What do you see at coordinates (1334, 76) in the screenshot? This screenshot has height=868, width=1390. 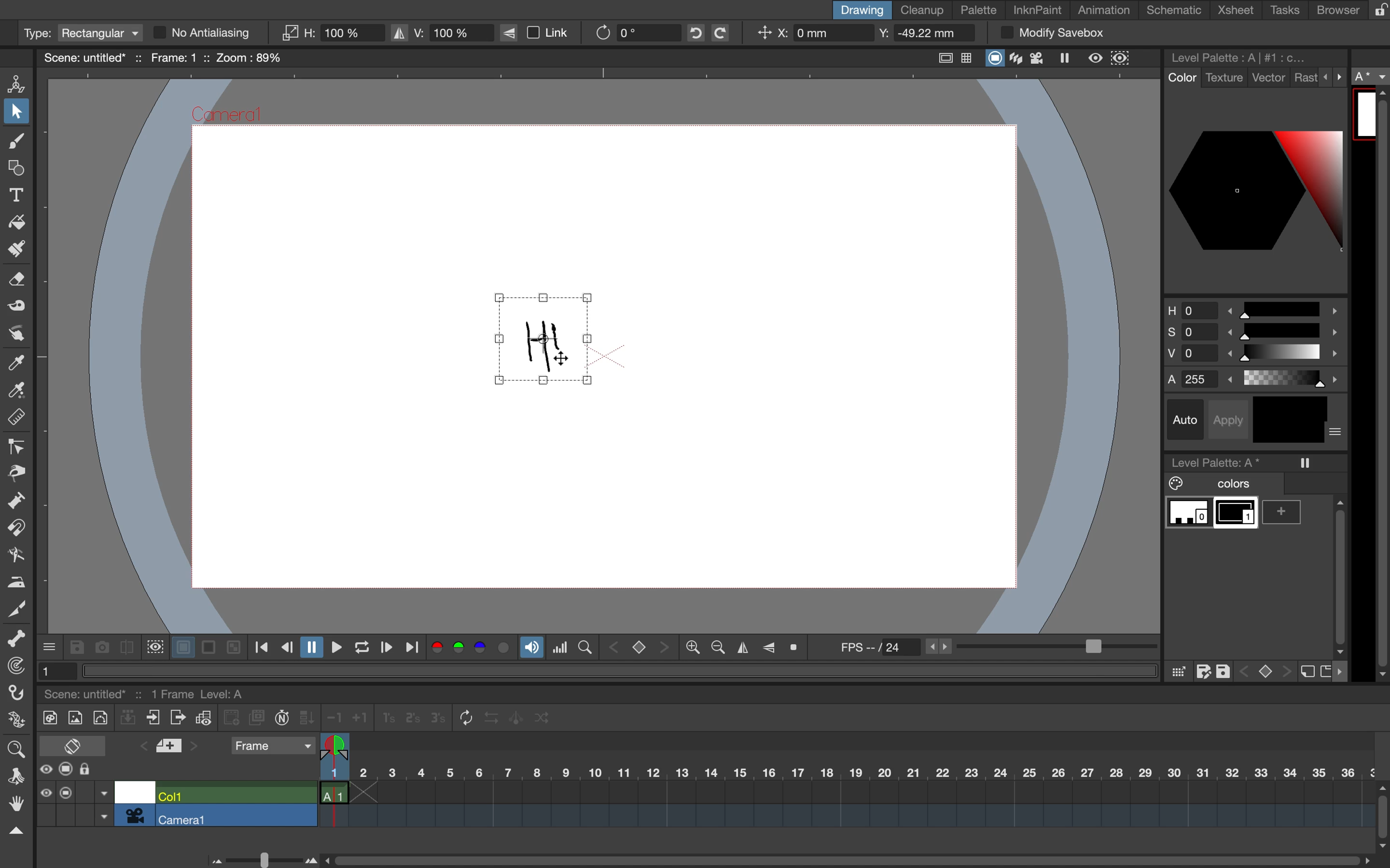 I see `more options` at bounding box center [1334, 76].